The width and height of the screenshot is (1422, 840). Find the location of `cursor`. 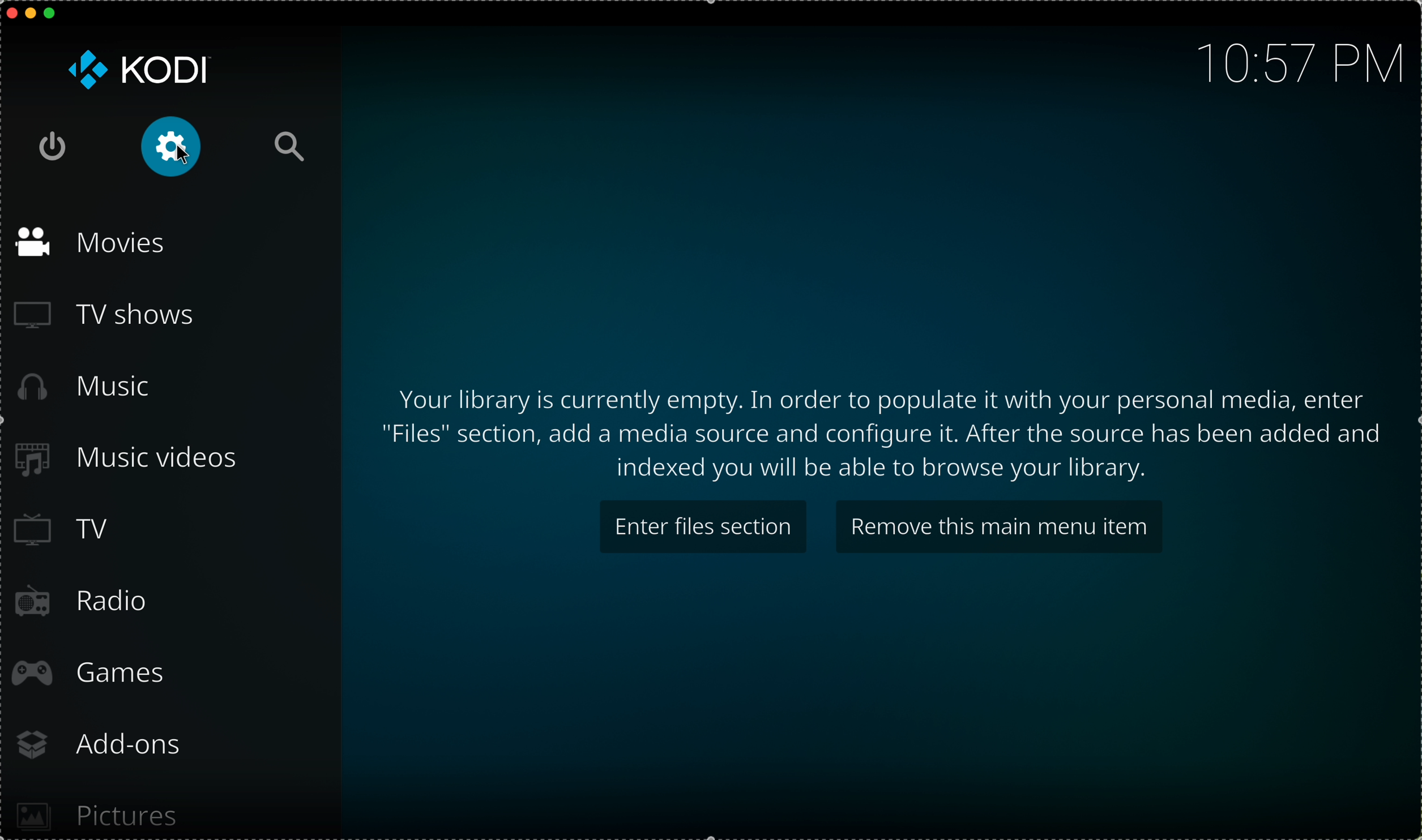

cursor is located at coordinates (182, 154).